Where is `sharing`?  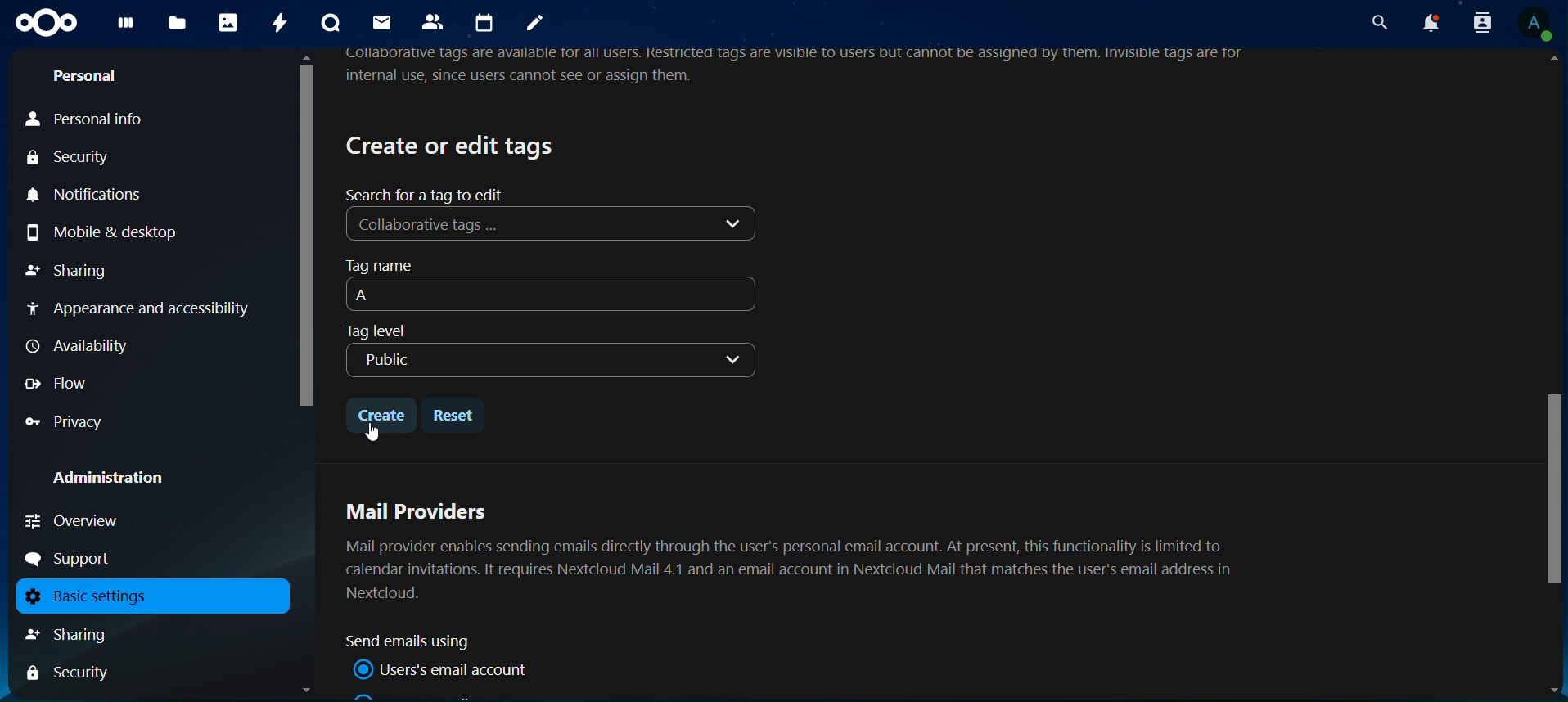 sharing is located at coordinates (85, 634).